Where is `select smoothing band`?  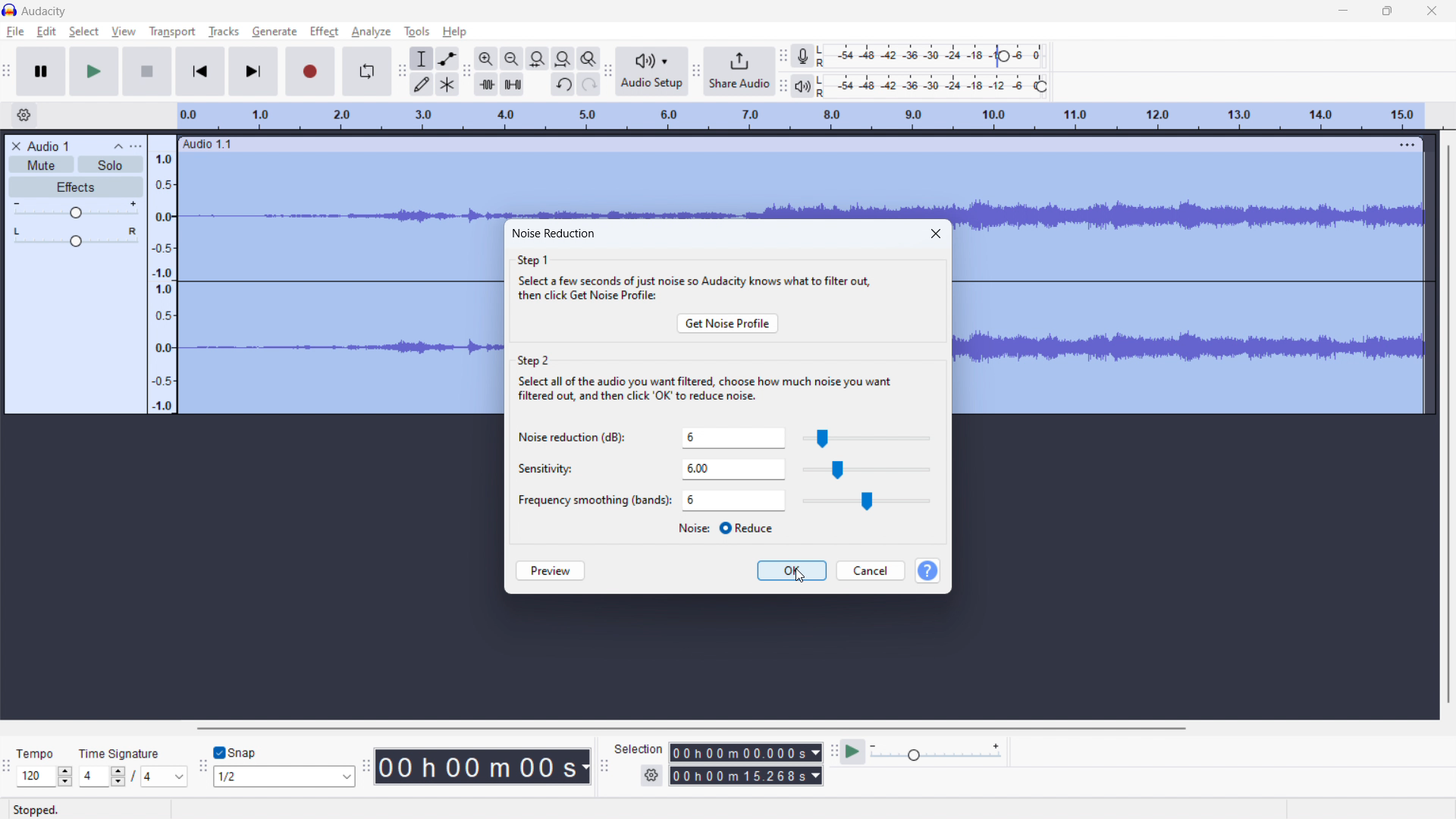 select smoothing band is located at coordinates (734, 500).